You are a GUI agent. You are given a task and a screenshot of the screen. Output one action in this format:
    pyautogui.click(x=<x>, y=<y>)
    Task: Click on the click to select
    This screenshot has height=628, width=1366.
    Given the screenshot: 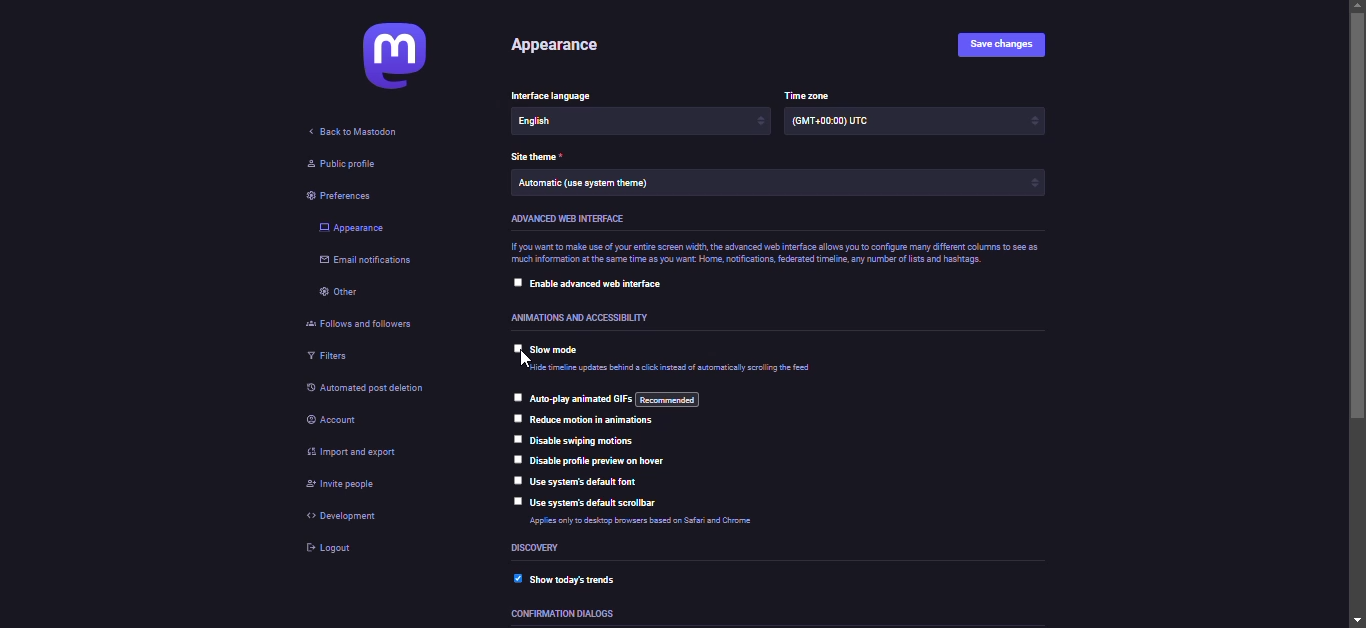 What is the action you would take?
    pyautogui.click(x=516, y=397)
    